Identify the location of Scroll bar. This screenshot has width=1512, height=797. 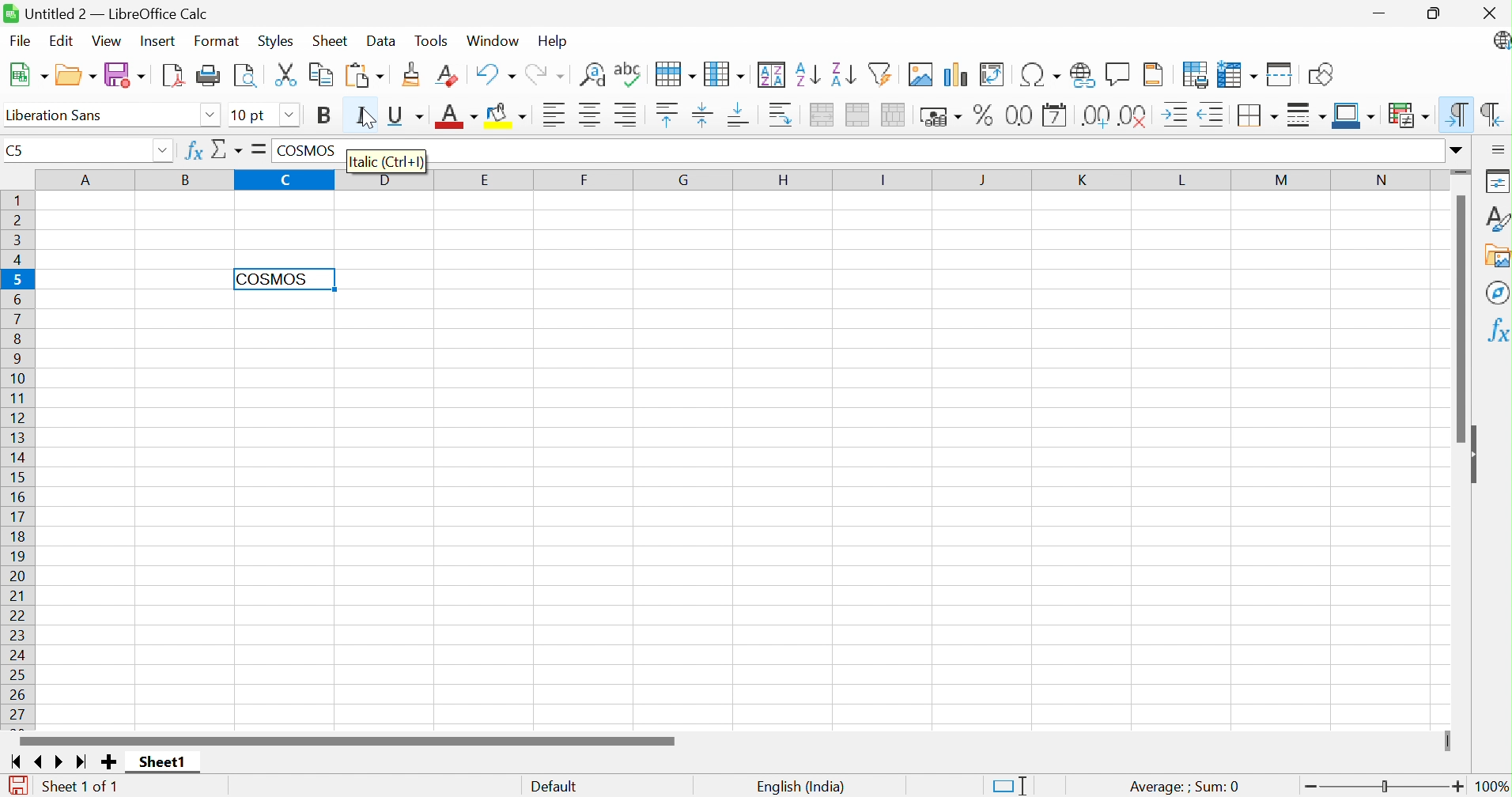
(347, 738).